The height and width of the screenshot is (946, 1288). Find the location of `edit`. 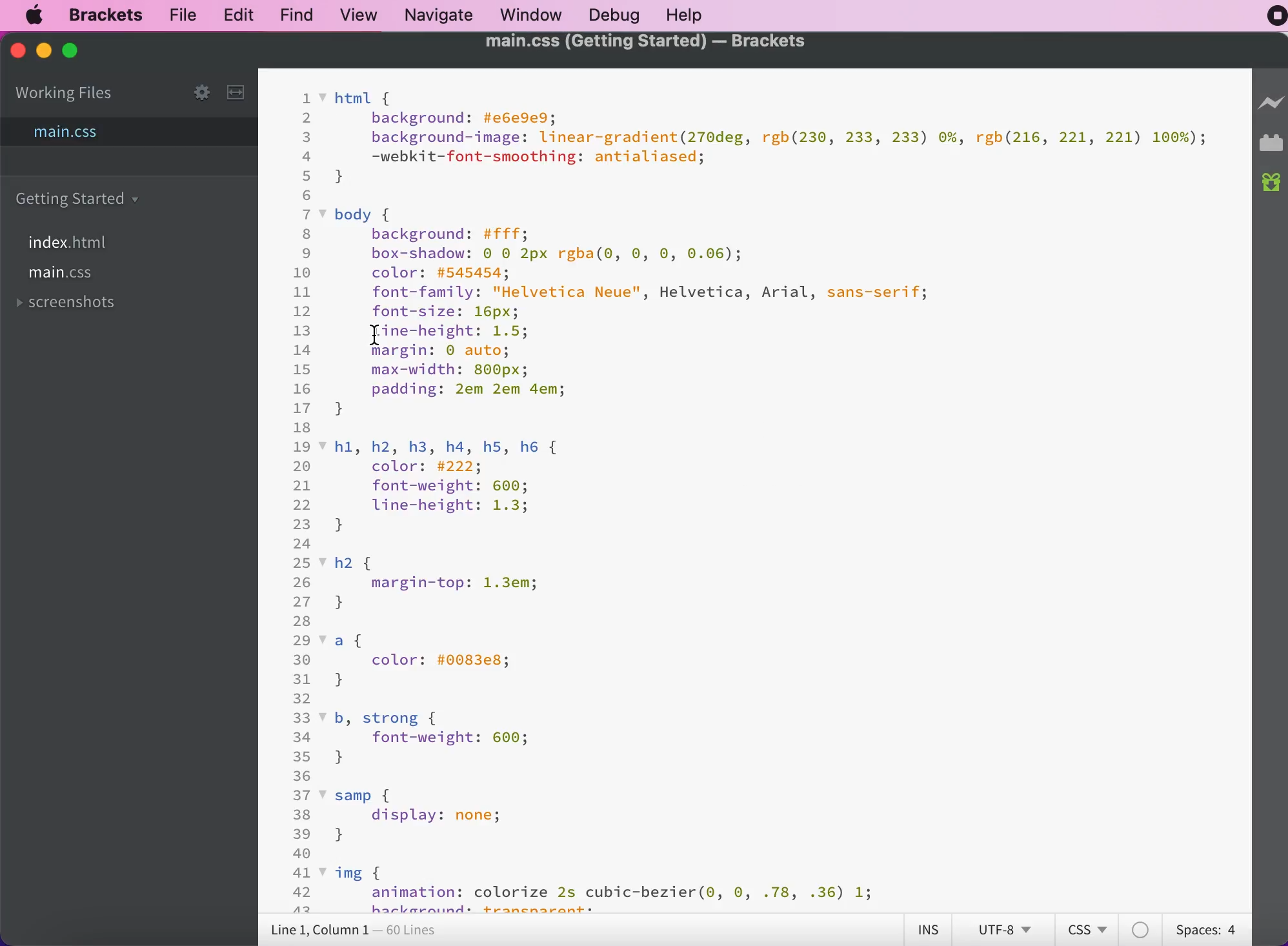

edit is located at coordinates (241, 14).